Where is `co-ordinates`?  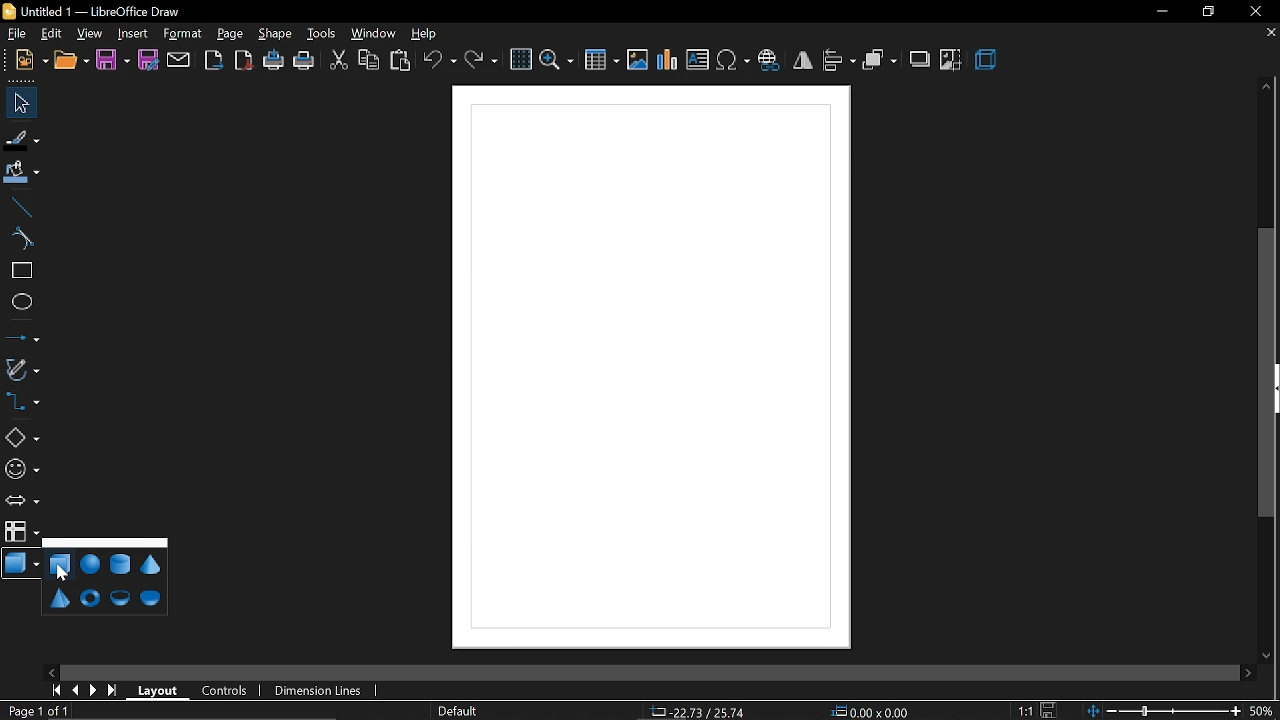 co-ordinates is located at coordinates (703, 711).